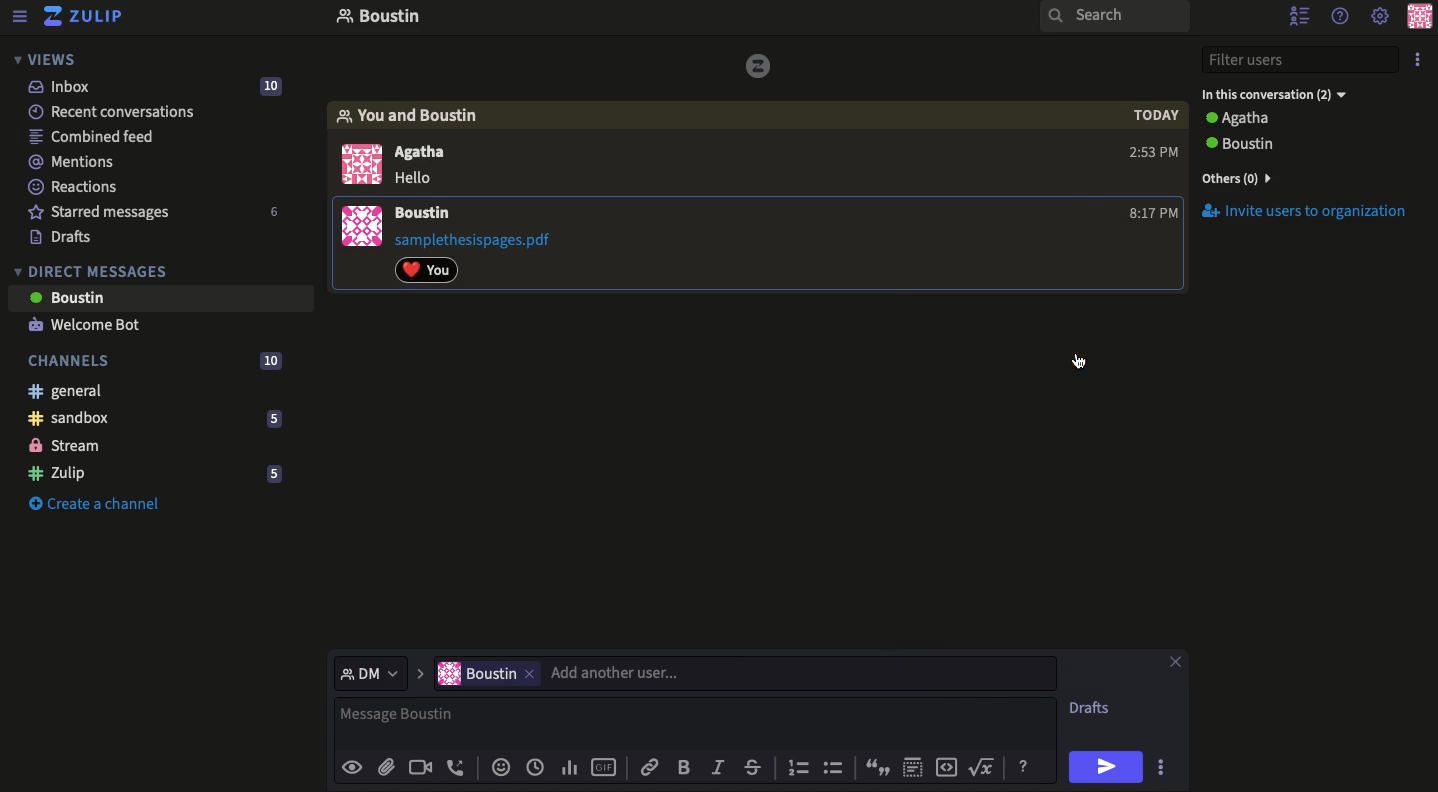 The width and height of the screenshot is (1438, 792). I want to click on Mentions, so click(72, 161).